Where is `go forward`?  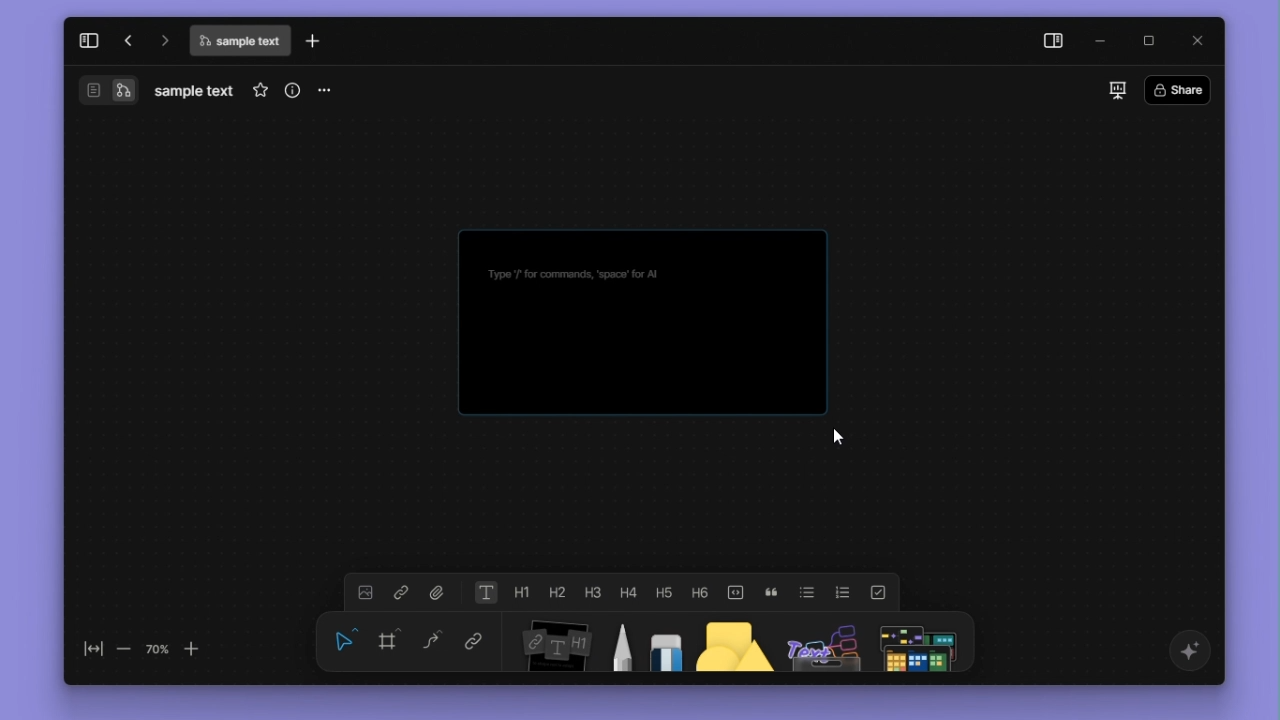 go forward is located at coordinates (162, 39).